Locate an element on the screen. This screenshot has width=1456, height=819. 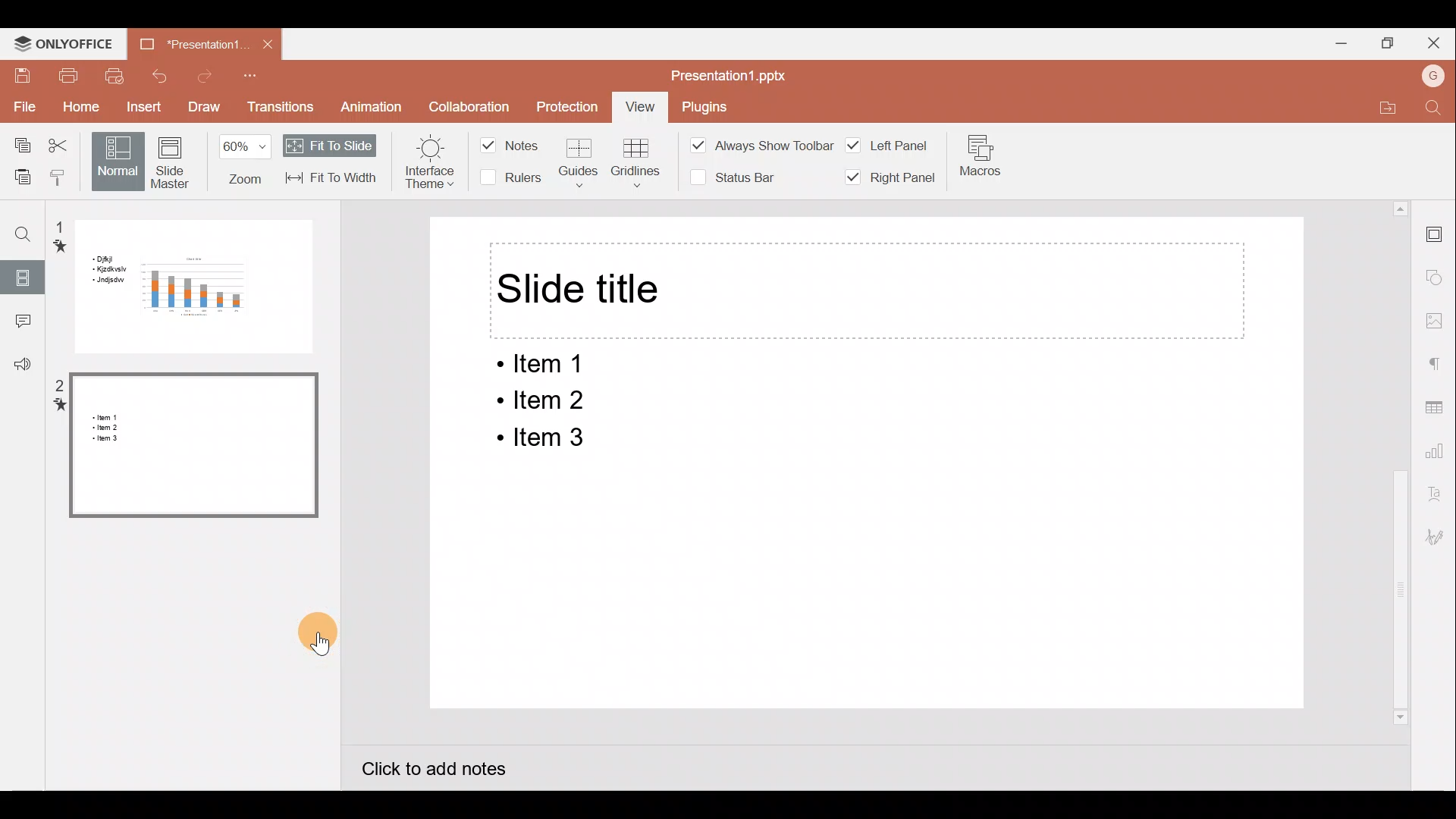
Find is located at coordinates (1433, 108).